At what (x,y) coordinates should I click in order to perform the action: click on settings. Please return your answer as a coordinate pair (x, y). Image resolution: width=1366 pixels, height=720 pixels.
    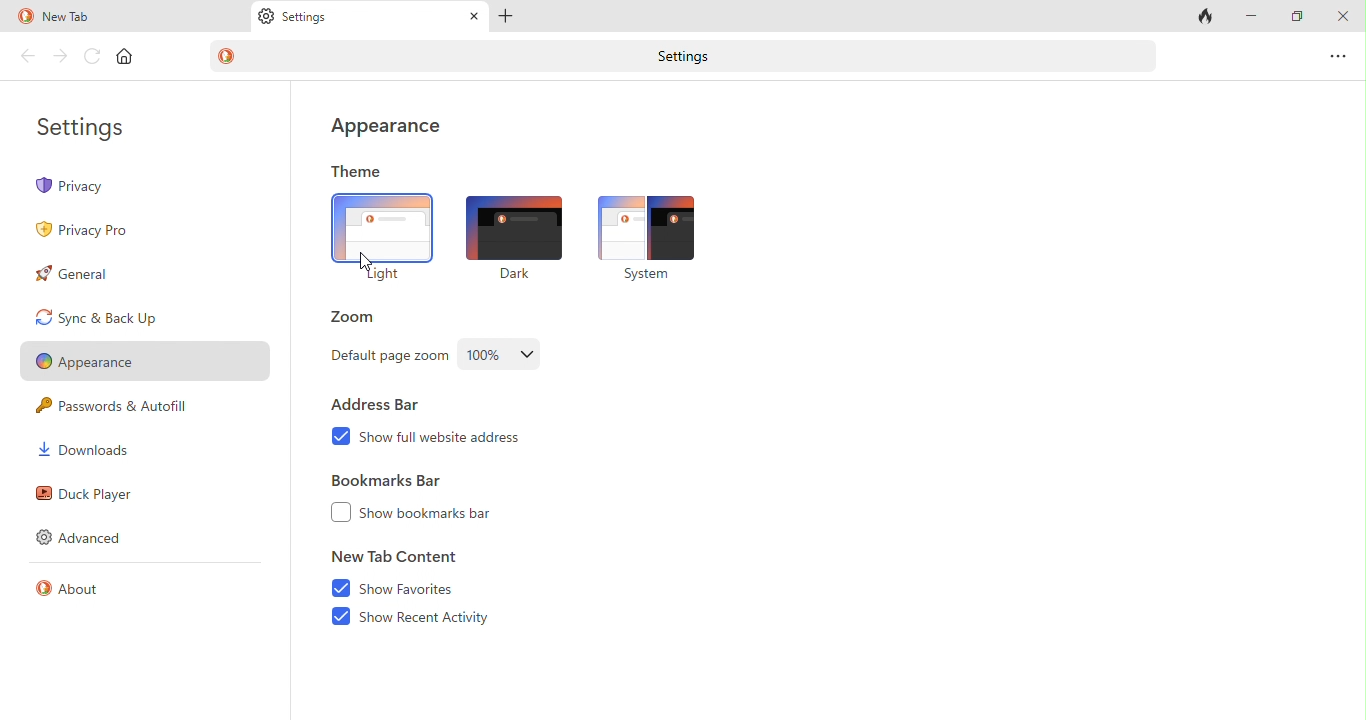
    Looking at the image, I should click on (90, 123).